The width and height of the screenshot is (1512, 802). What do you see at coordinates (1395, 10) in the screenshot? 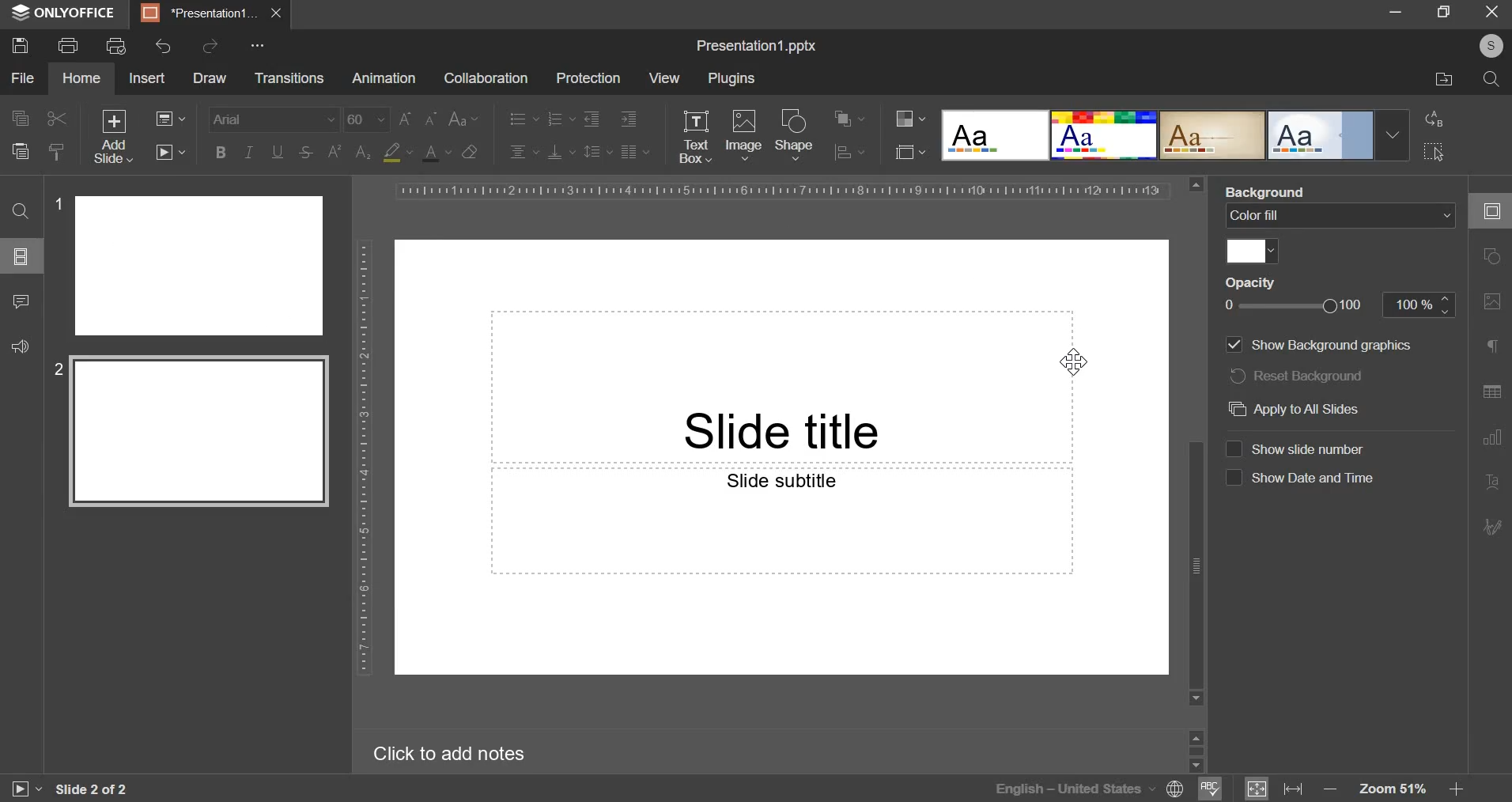
I see `minimize` at bounding box center [1395, 10].